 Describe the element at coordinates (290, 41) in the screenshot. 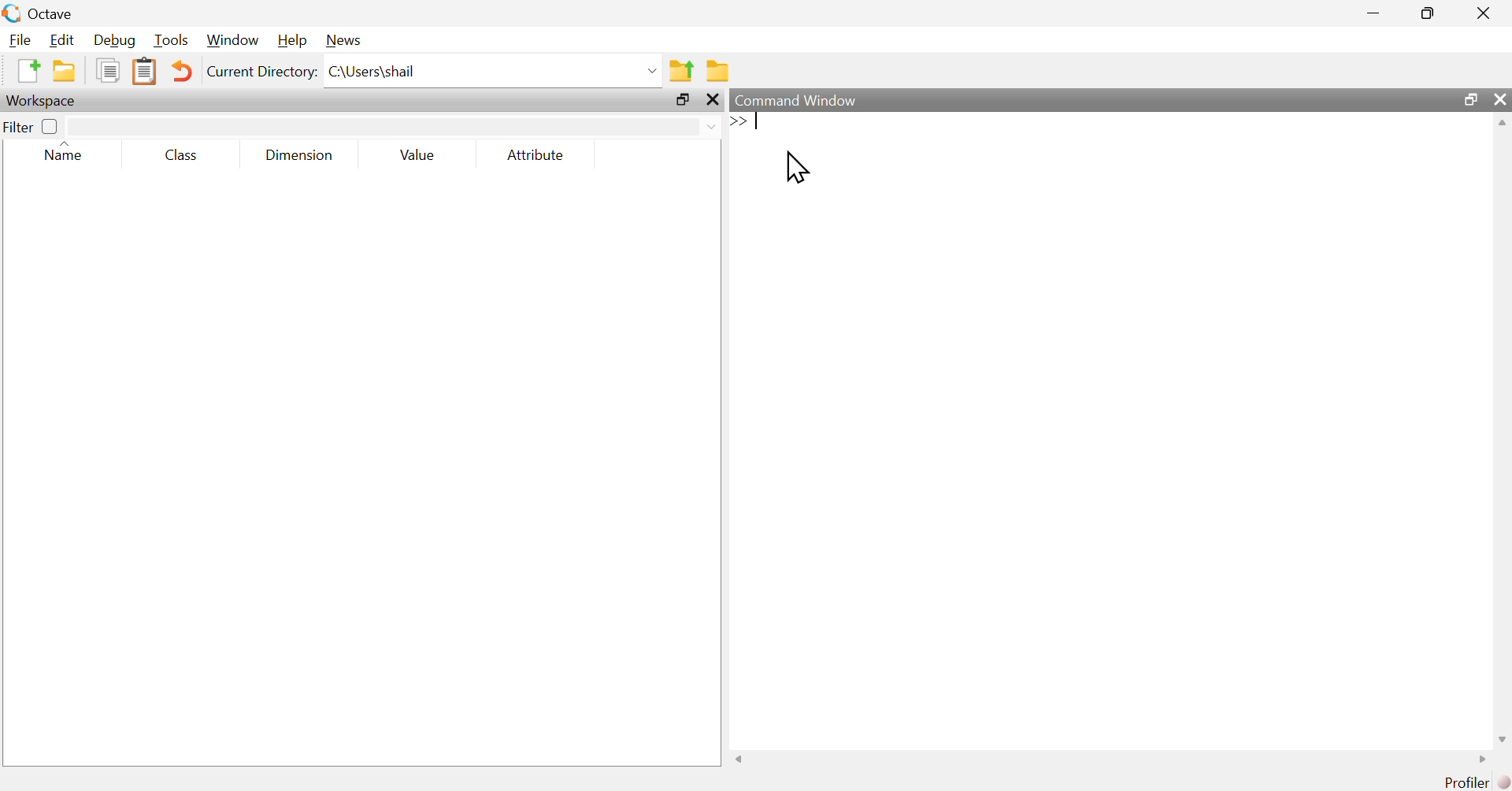

I see `Help` at that location.